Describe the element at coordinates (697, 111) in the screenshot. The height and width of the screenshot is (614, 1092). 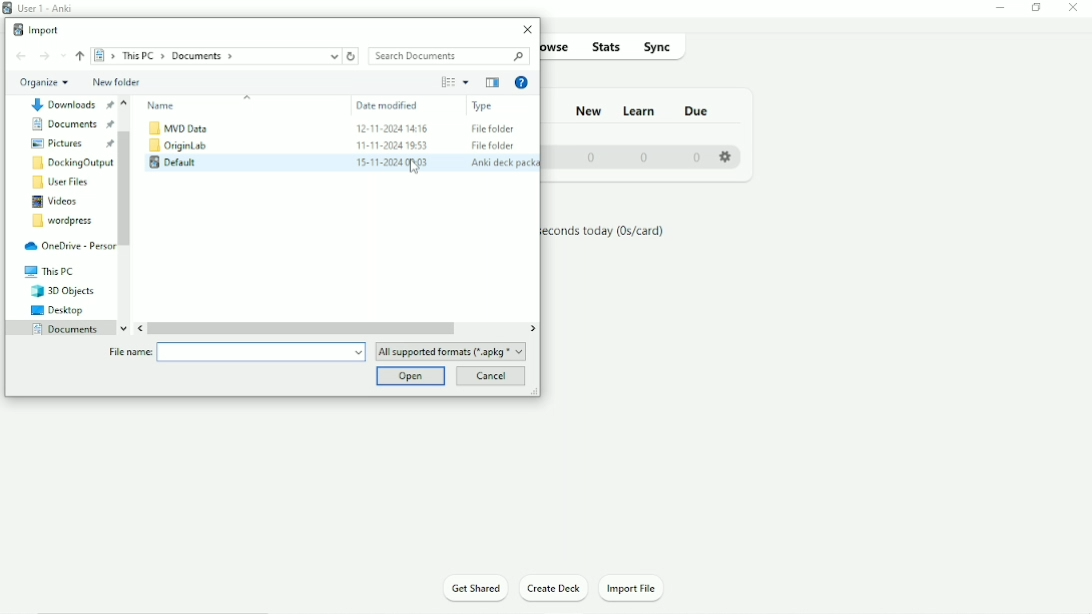
I see `Due` at that location.